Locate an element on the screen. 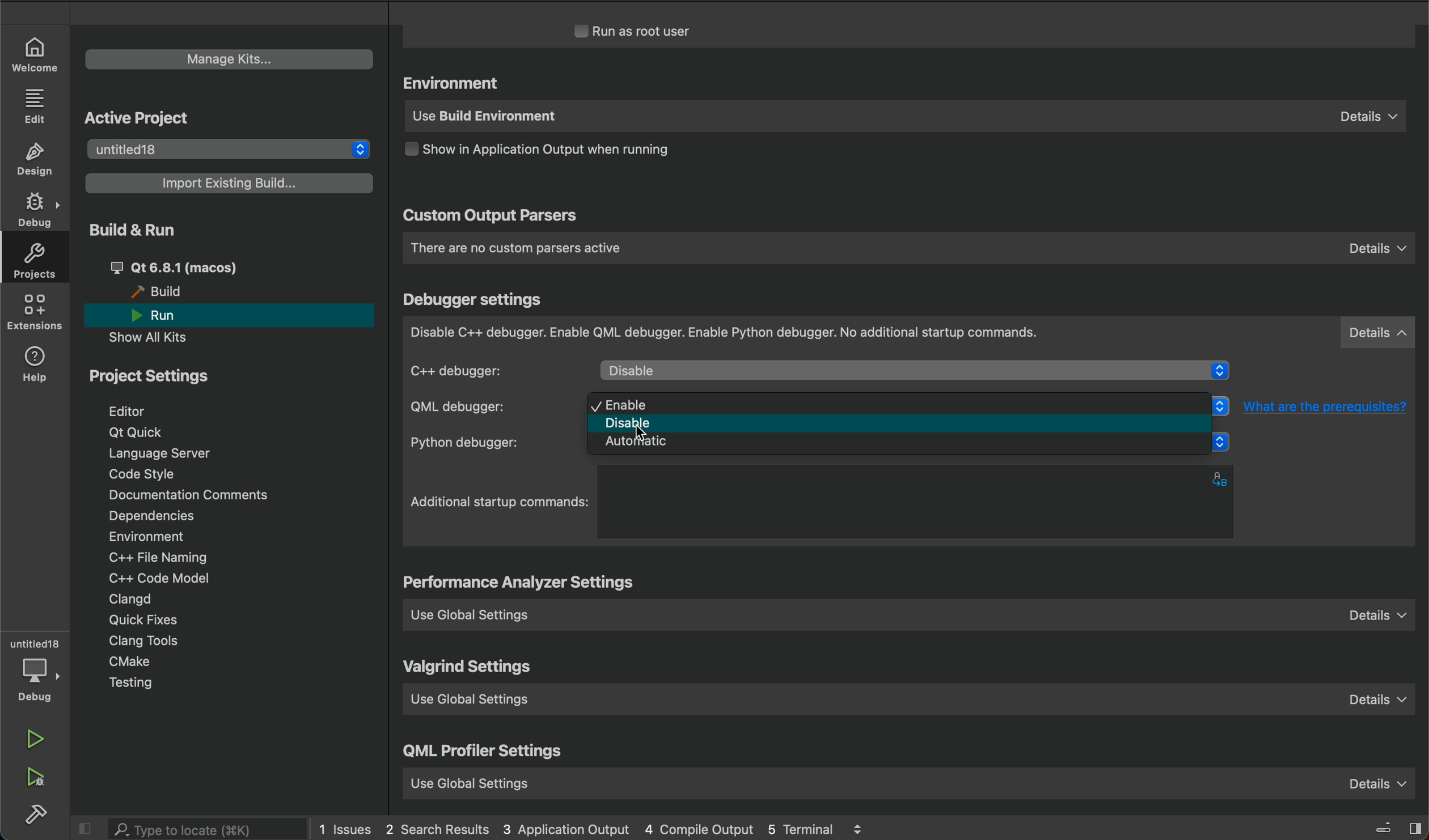 The height and width of the screenshot is (840, 1429). active project is located at coordinates (137, 118).